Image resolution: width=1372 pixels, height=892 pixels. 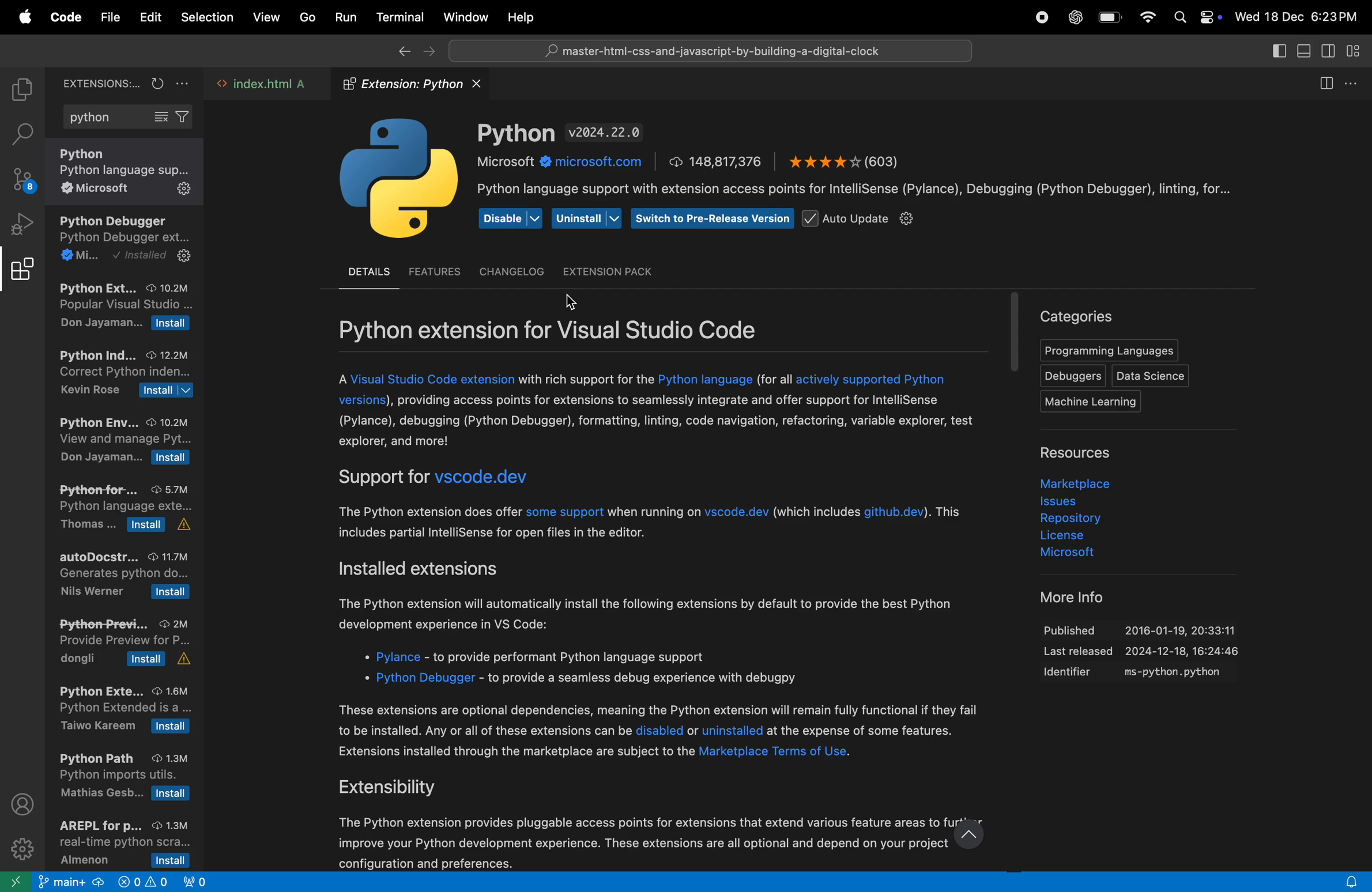 What do you see at coordinates (1087, 453) in the screenshot?
I see `resources` at bounding box center [1087, 453].